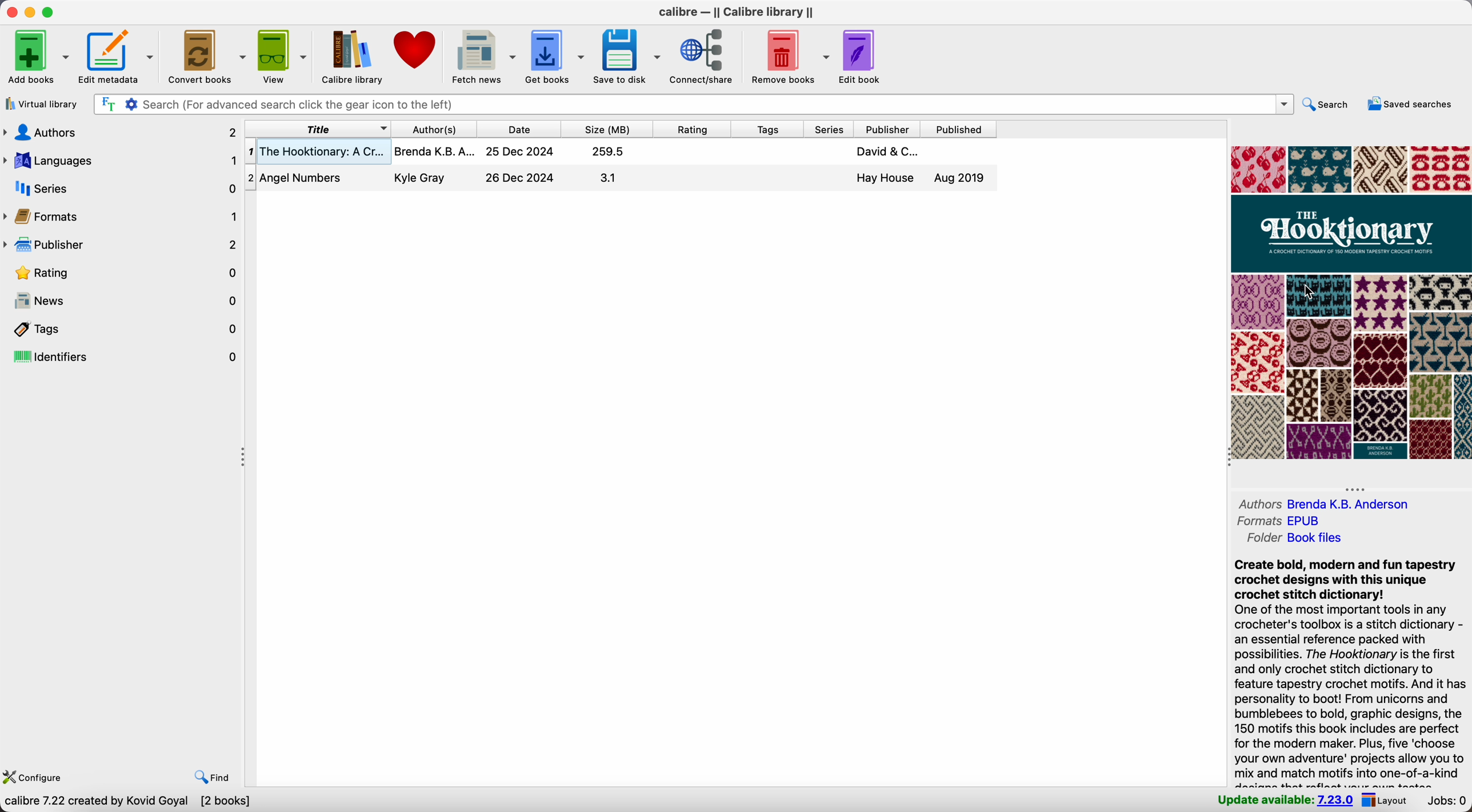 The width and height of the screenshot is (1472, 812). Describe the element at coordinates (691, 103) in the screenshot. I see `search bar` at that location.